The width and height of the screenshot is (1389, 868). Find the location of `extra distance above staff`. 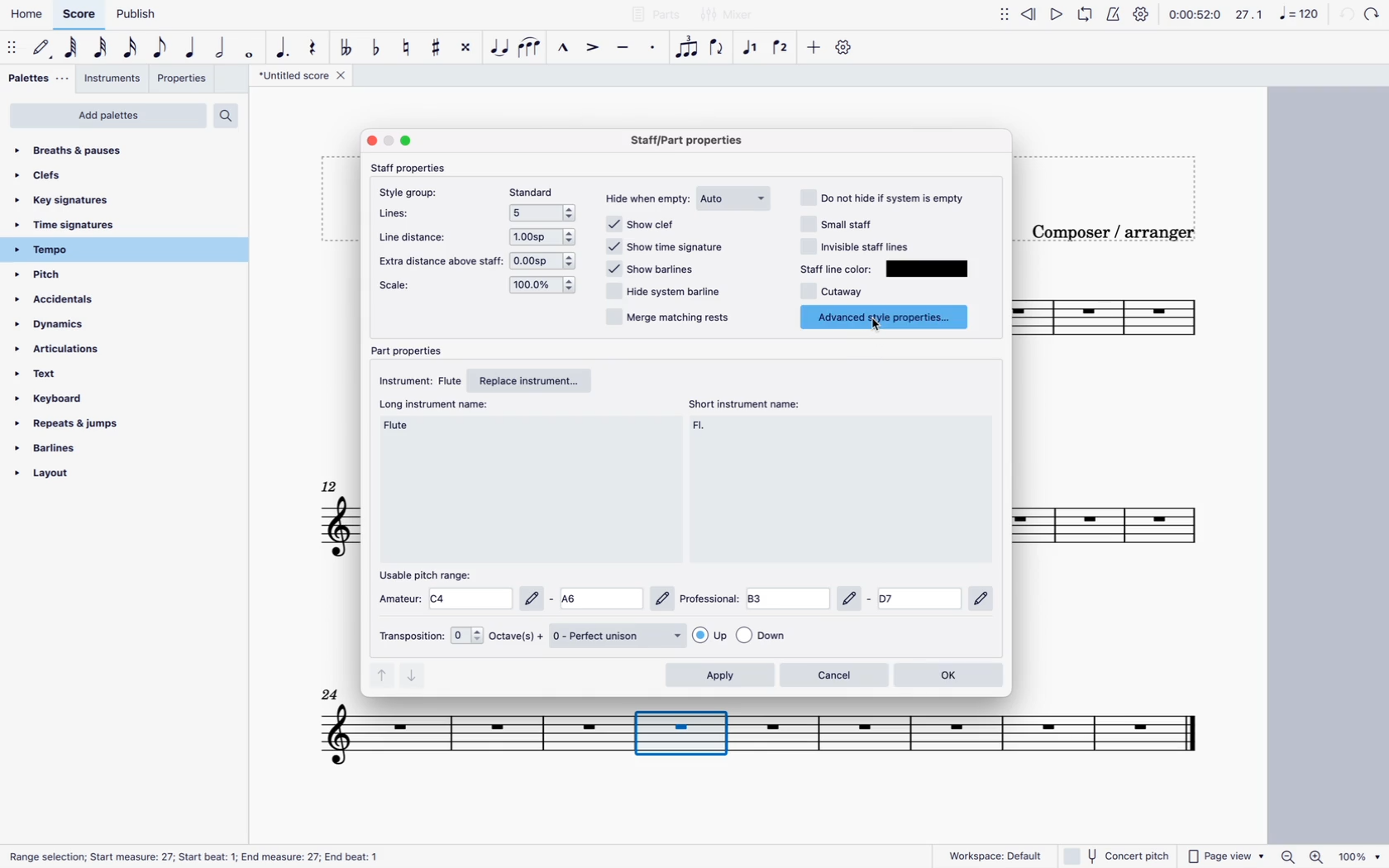

extra distance above staff is located at coordinates (442, 261).